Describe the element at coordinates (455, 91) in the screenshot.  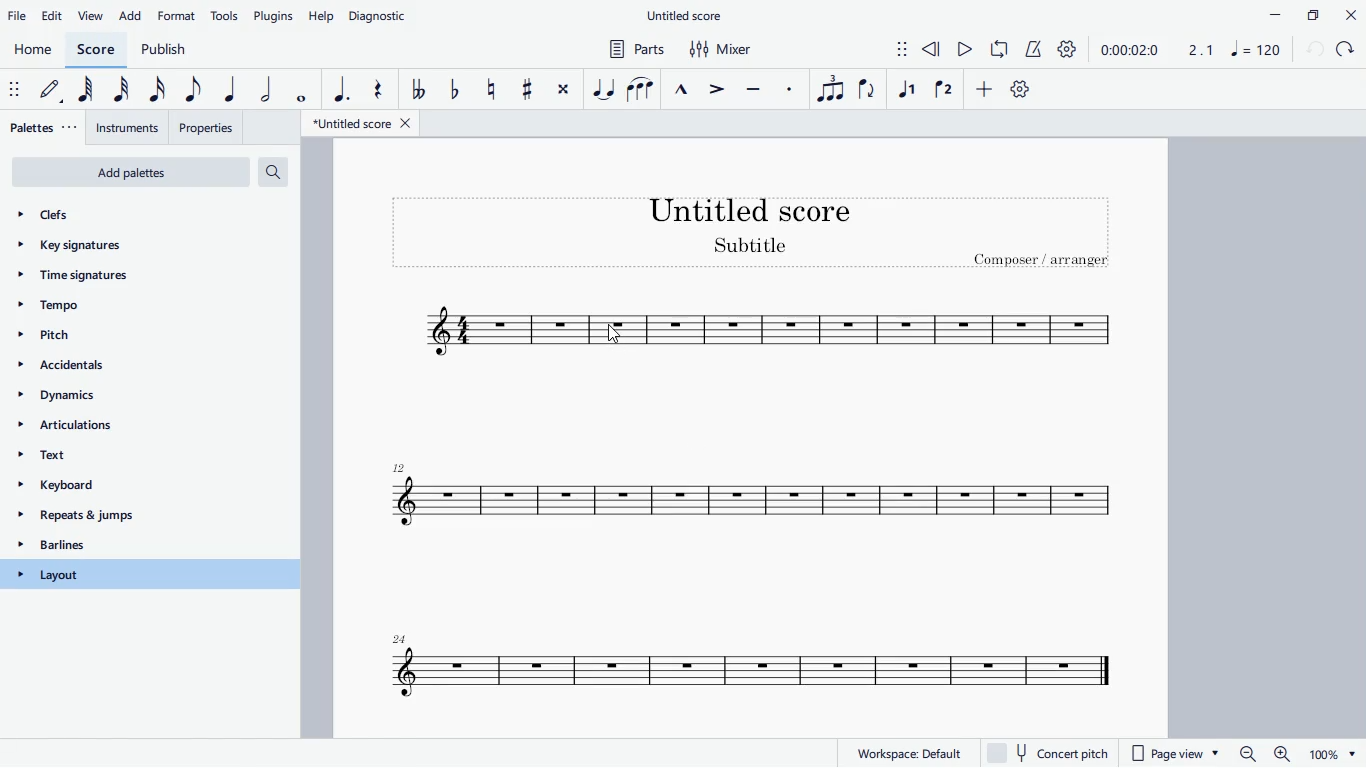
I see `toggle flat` at that location.